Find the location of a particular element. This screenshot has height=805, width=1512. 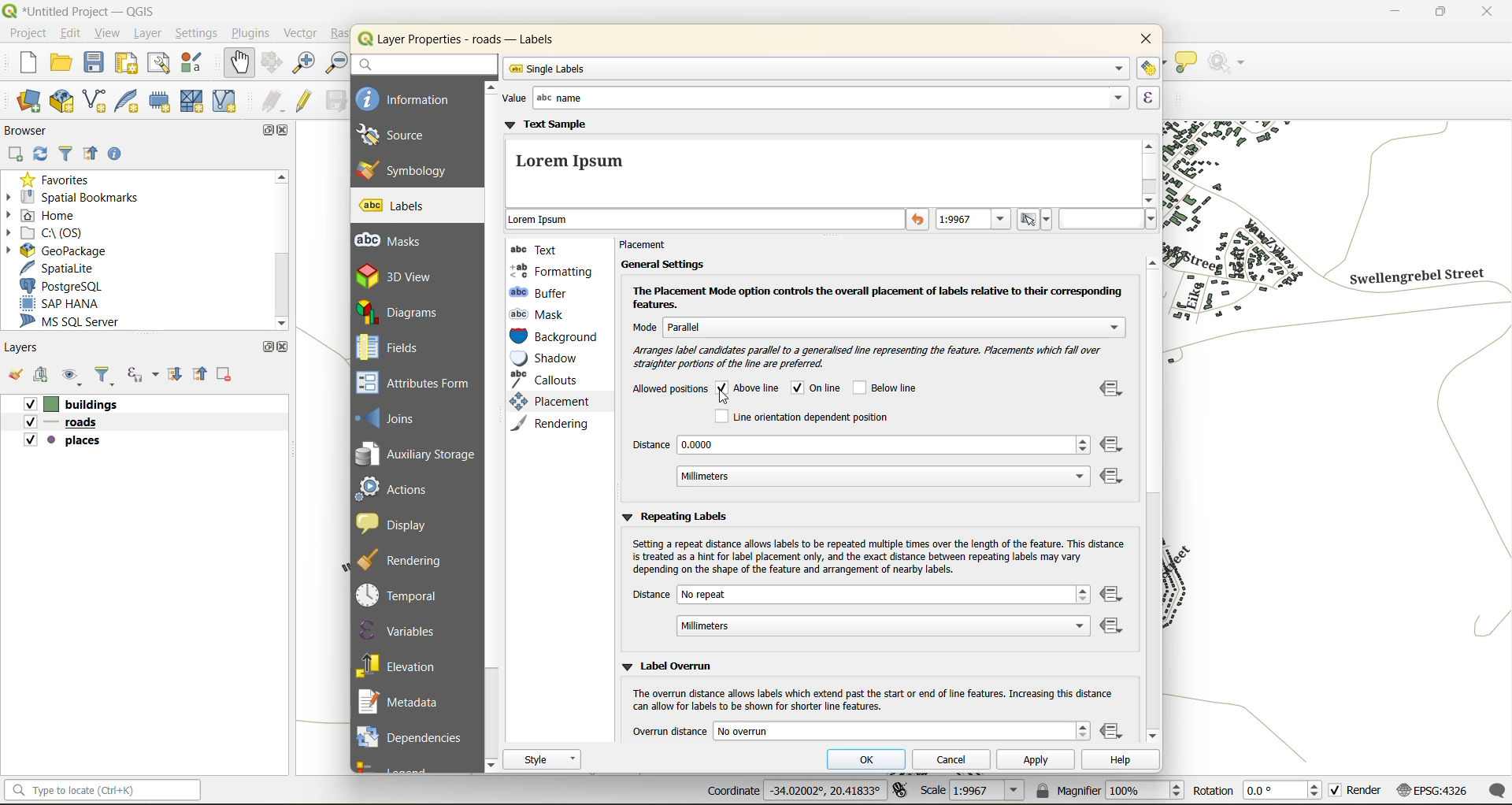

cancel is located at coordinates (955, 759).